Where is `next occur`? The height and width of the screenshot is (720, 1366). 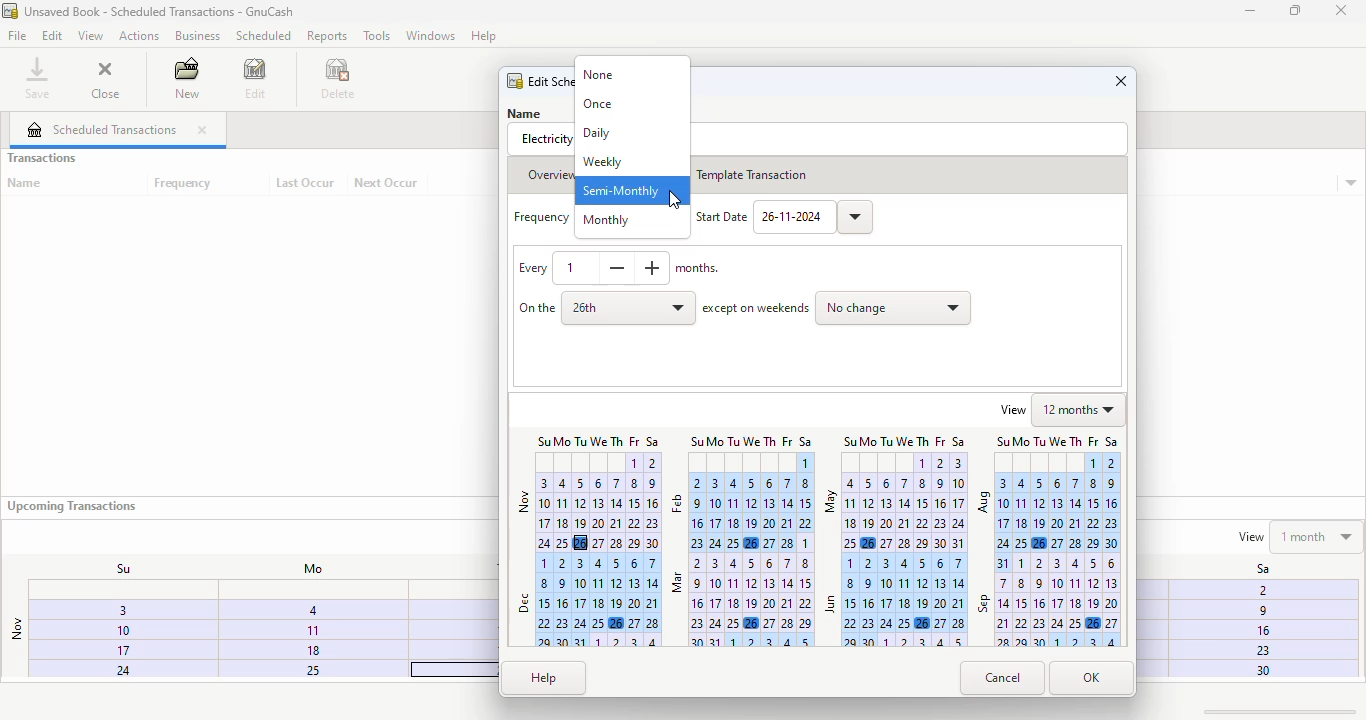 next occur is located at coordinates (387, 183).